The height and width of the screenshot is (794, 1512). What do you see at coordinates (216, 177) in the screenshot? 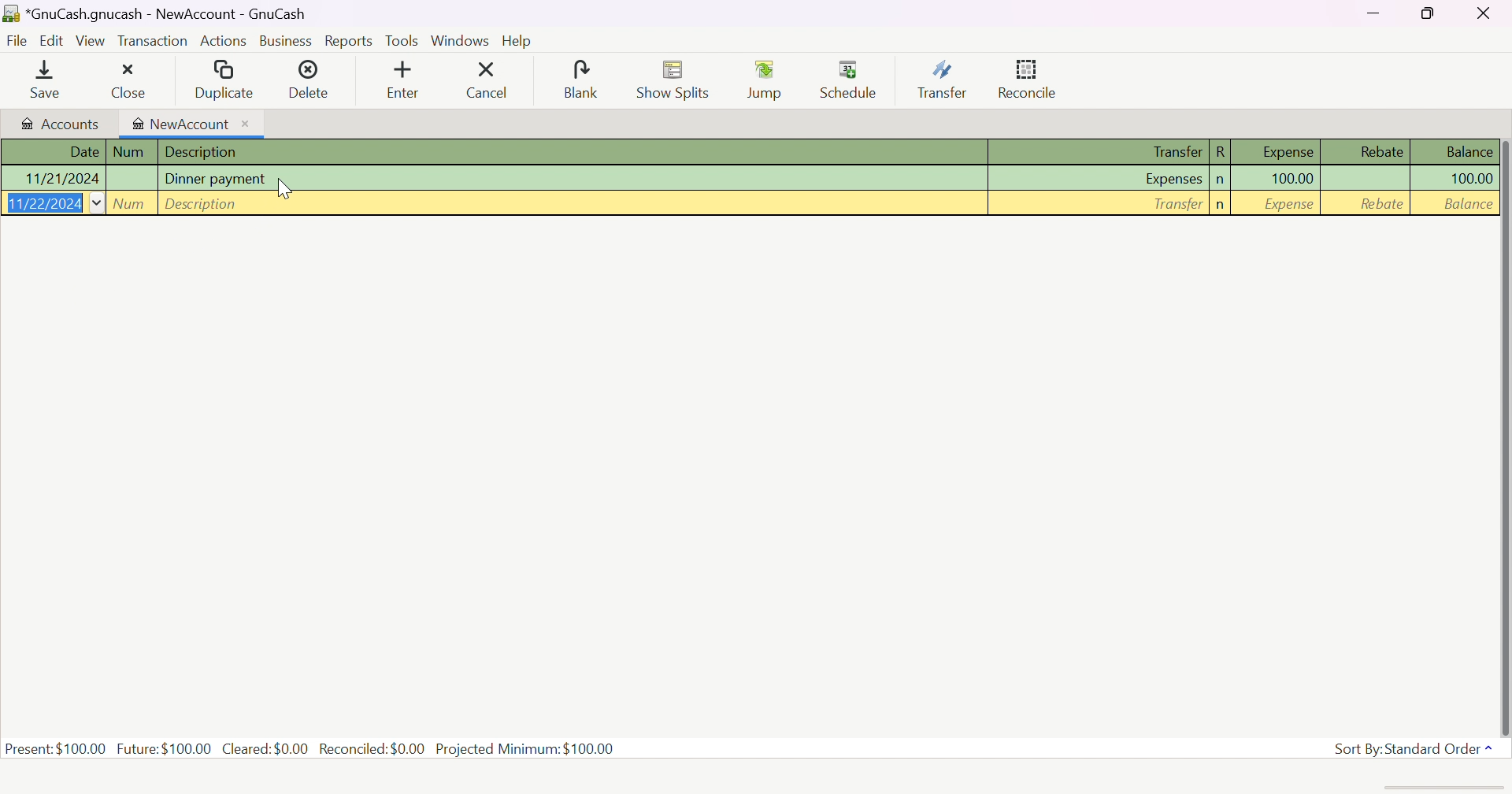
I see `Dinner payment` at bounding box center [216, 177].